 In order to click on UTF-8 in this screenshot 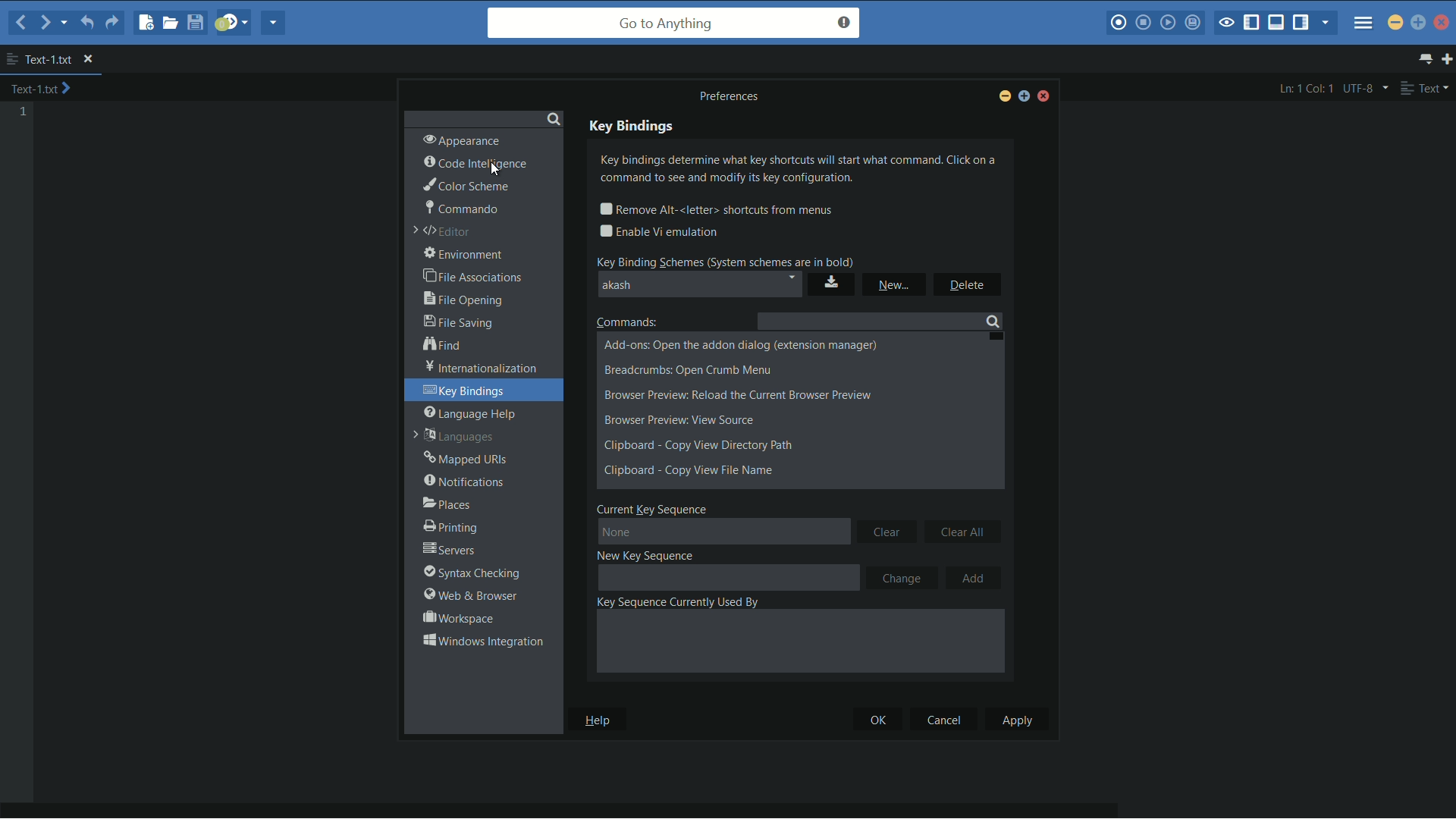, I will do `click(1363, 88)`.